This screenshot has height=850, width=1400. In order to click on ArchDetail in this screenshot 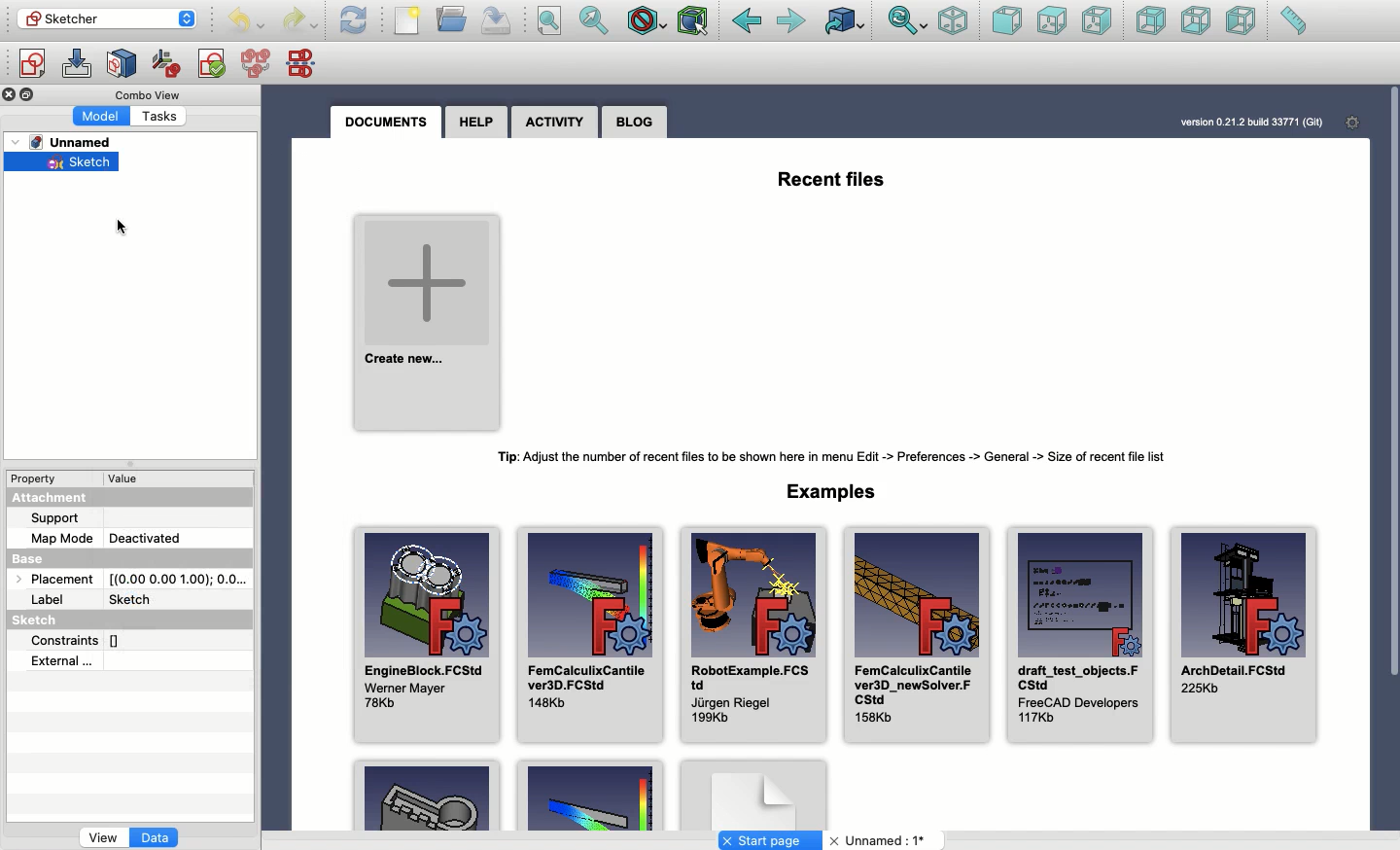, I will do `click(1244, 638)`.